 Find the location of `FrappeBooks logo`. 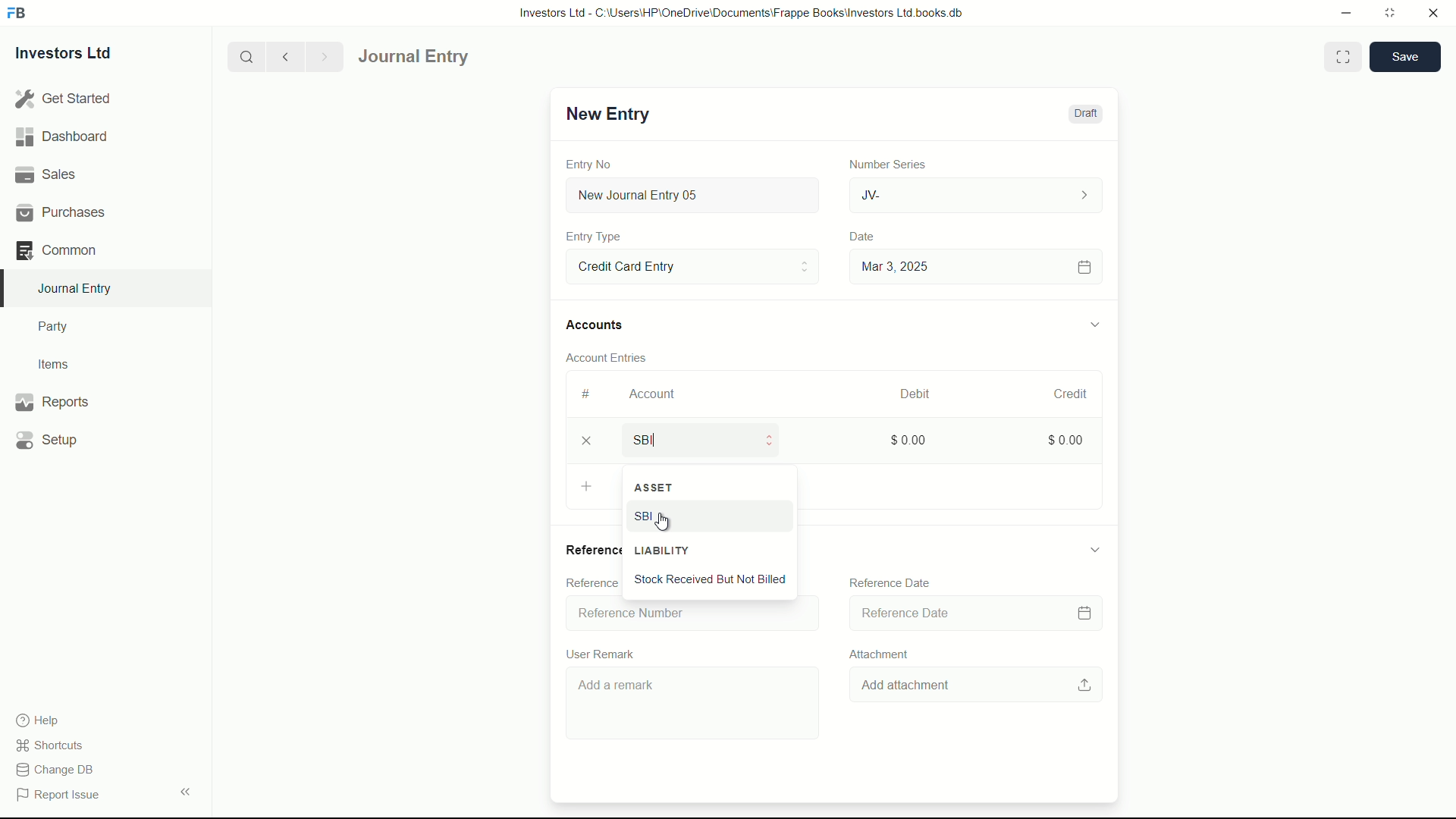

FrappeBooks logo is located at coordinates (17, 14).